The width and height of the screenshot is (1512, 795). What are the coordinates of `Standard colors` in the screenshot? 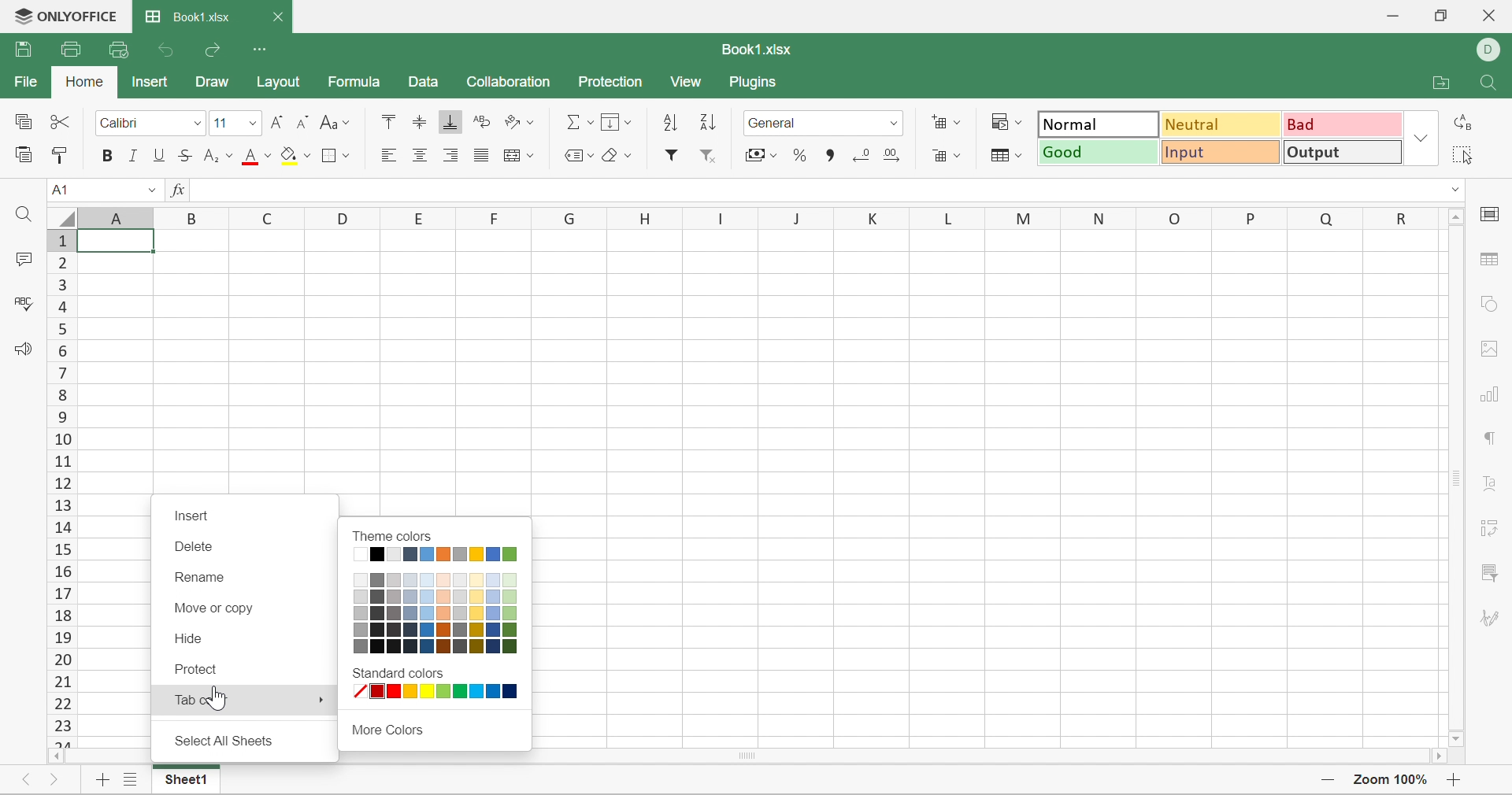 It's located at (393, 674).